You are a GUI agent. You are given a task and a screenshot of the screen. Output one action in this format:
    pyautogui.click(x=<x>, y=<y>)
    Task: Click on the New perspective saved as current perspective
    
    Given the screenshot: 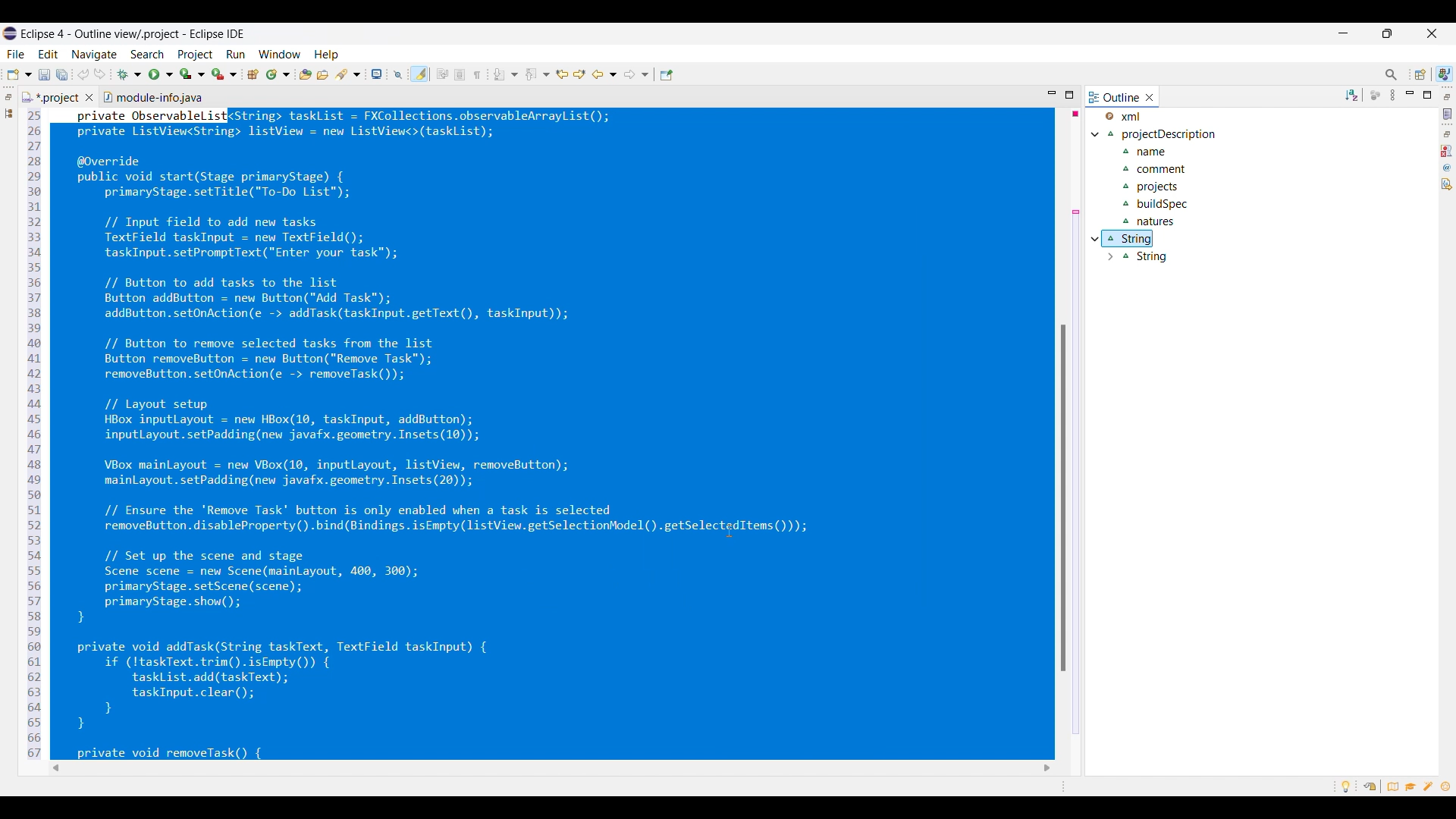 What is the action you would take?
    pyautogui.click(x=1445, y=74)
    